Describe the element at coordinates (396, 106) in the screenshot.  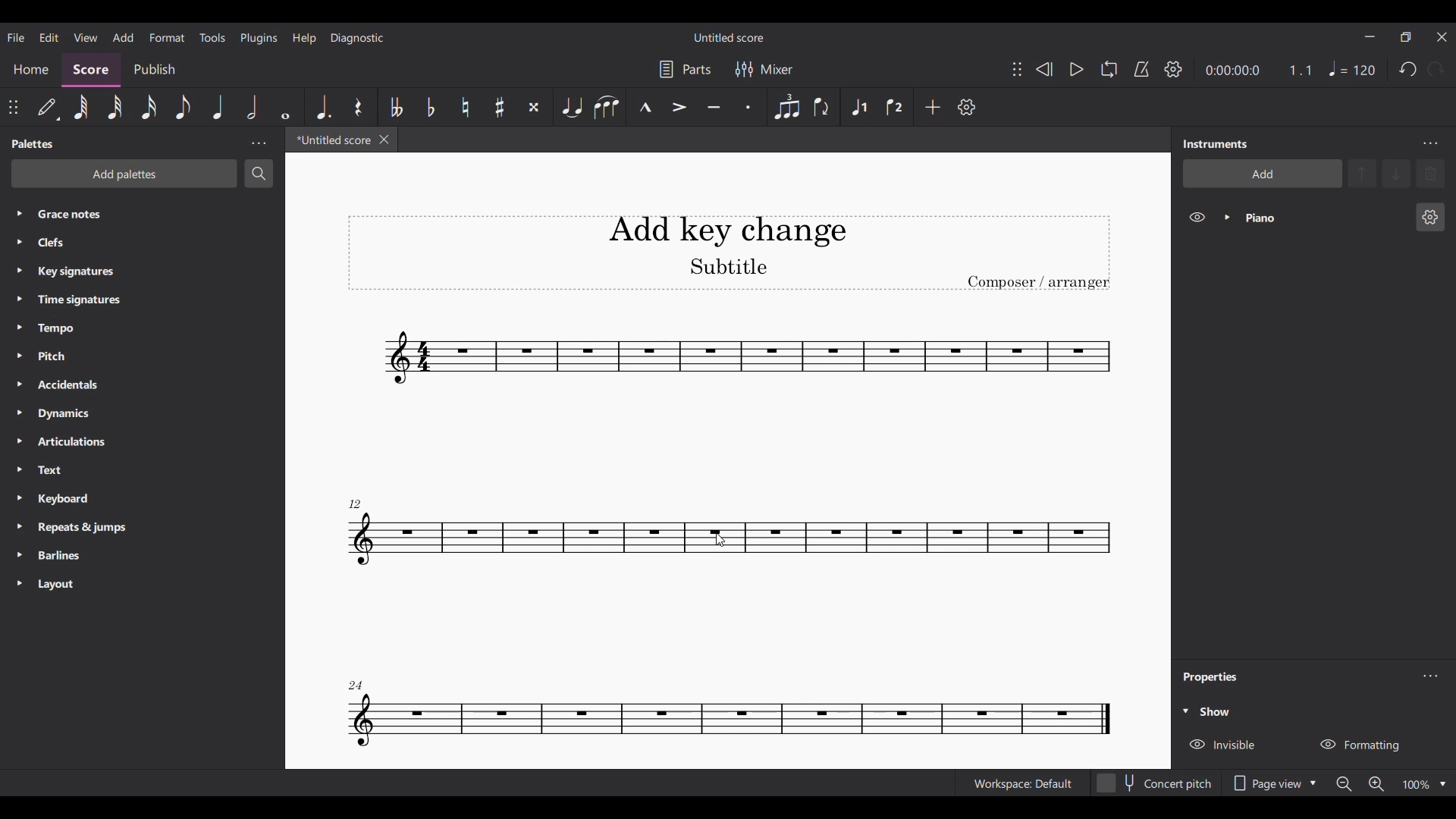
I see `Toggle double flat` at that location.